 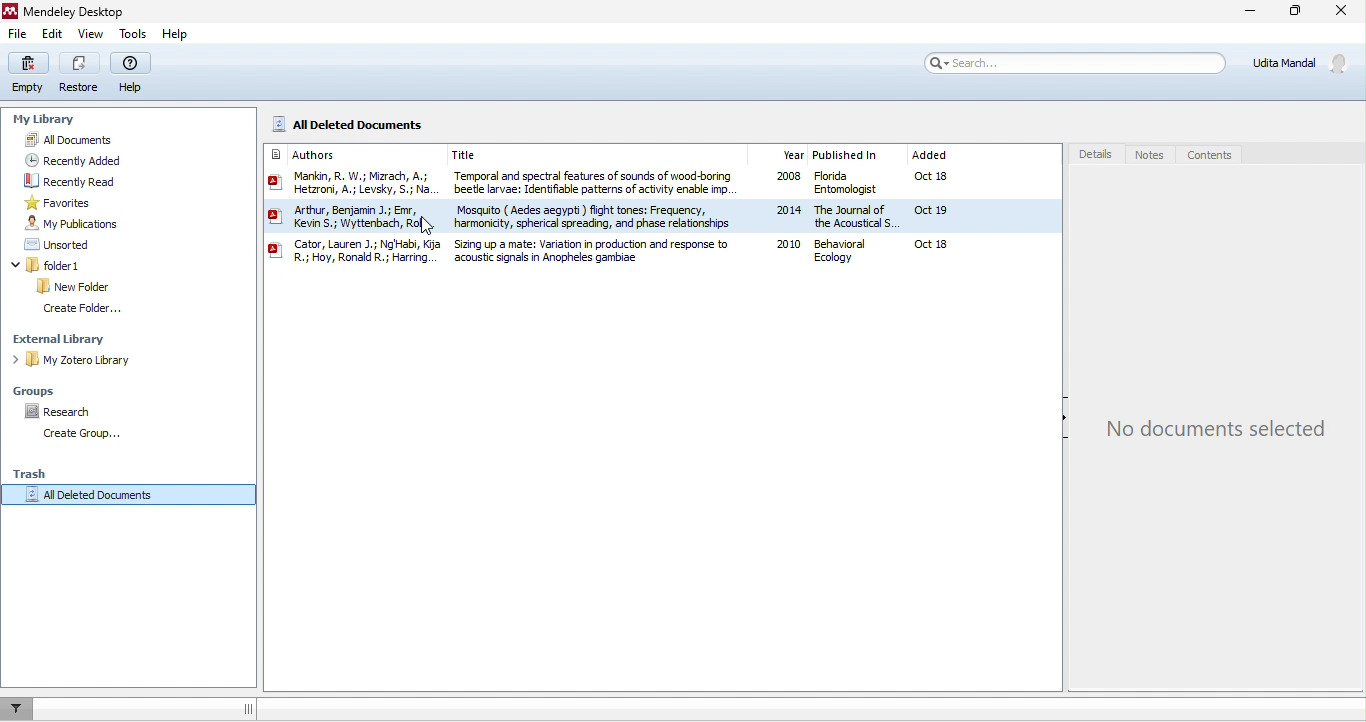 I want to click on help, so click(x=176, y=35).